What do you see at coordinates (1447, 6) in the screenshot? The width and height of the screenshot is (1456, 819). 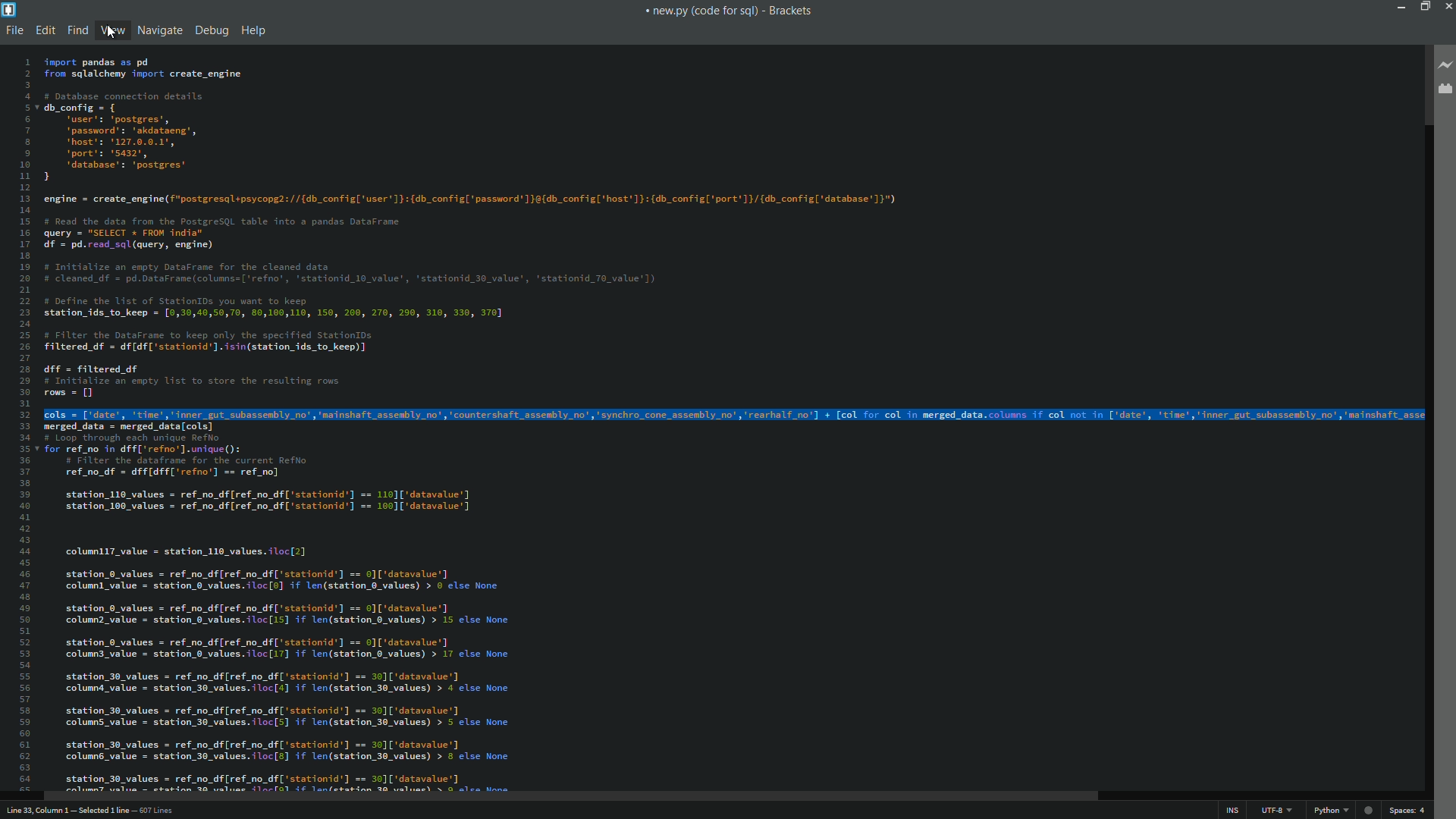 I see `close app` at bounding box center [1447, 6].